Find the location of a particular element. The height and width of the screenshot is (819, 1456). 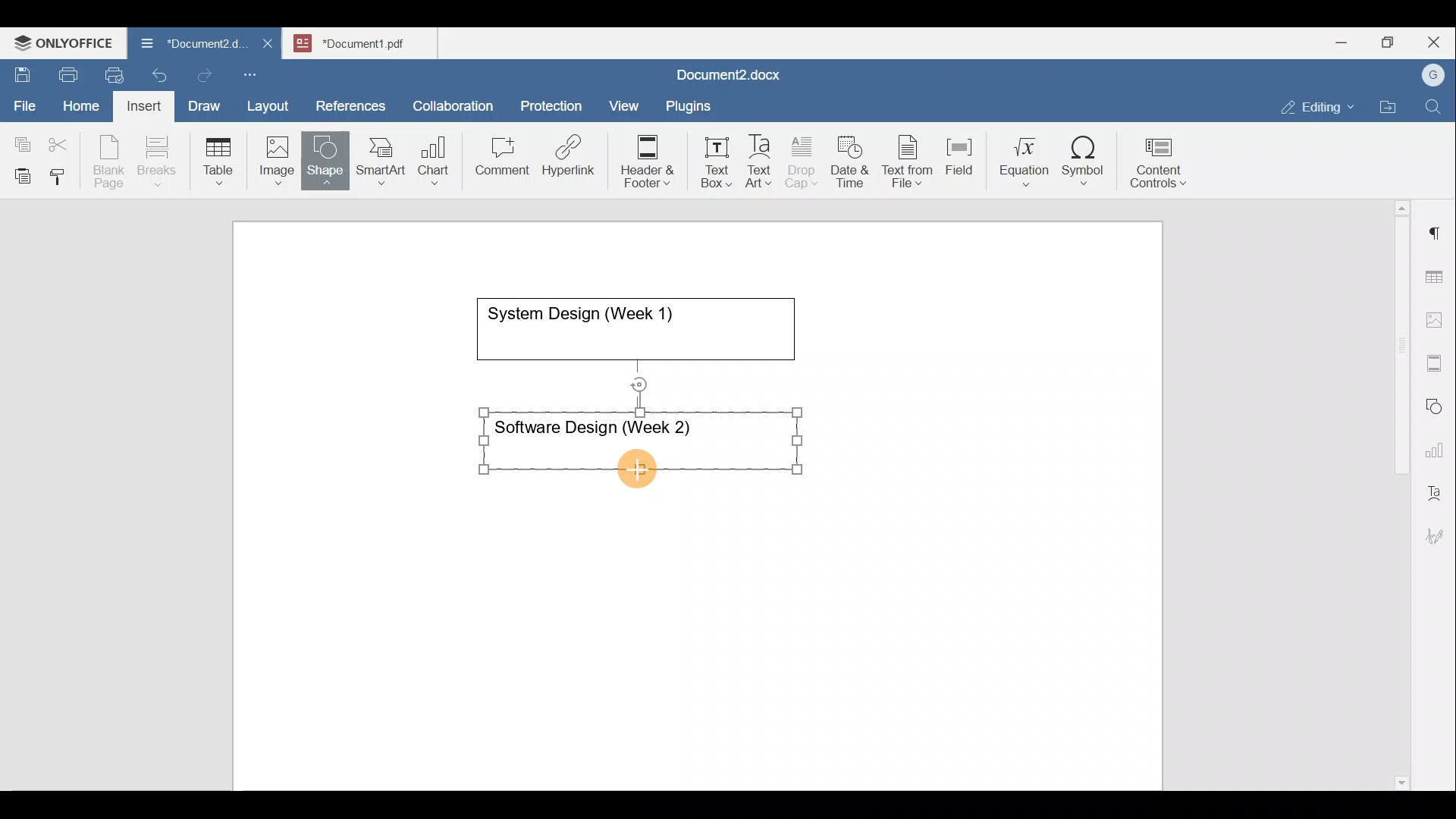

Editing mode is located at coordinates (1318, 104).